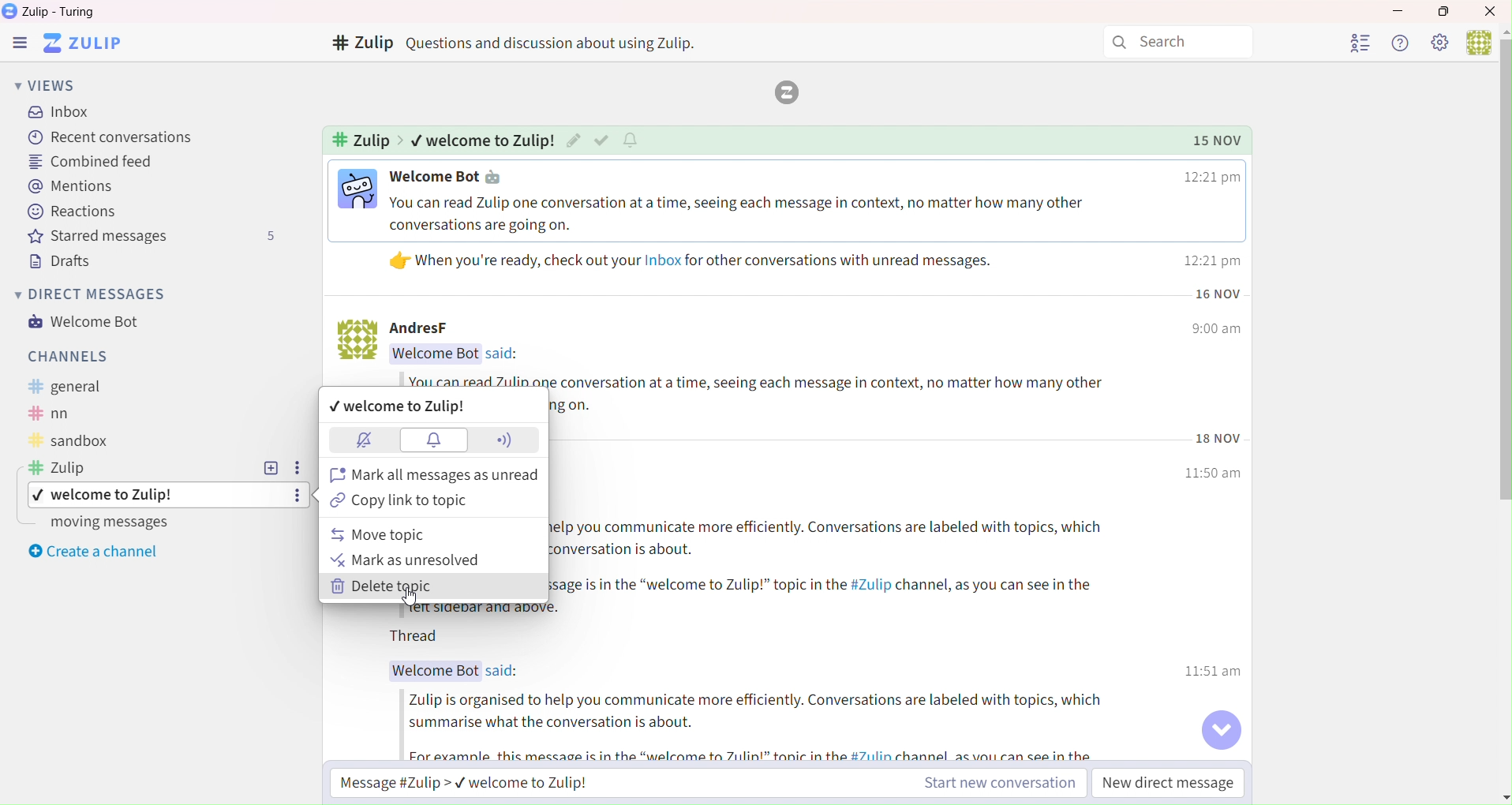 The image size is (1512, 805). Describe the element at coordinates (562, 43) in the screenshot. I see `Text` at that location.